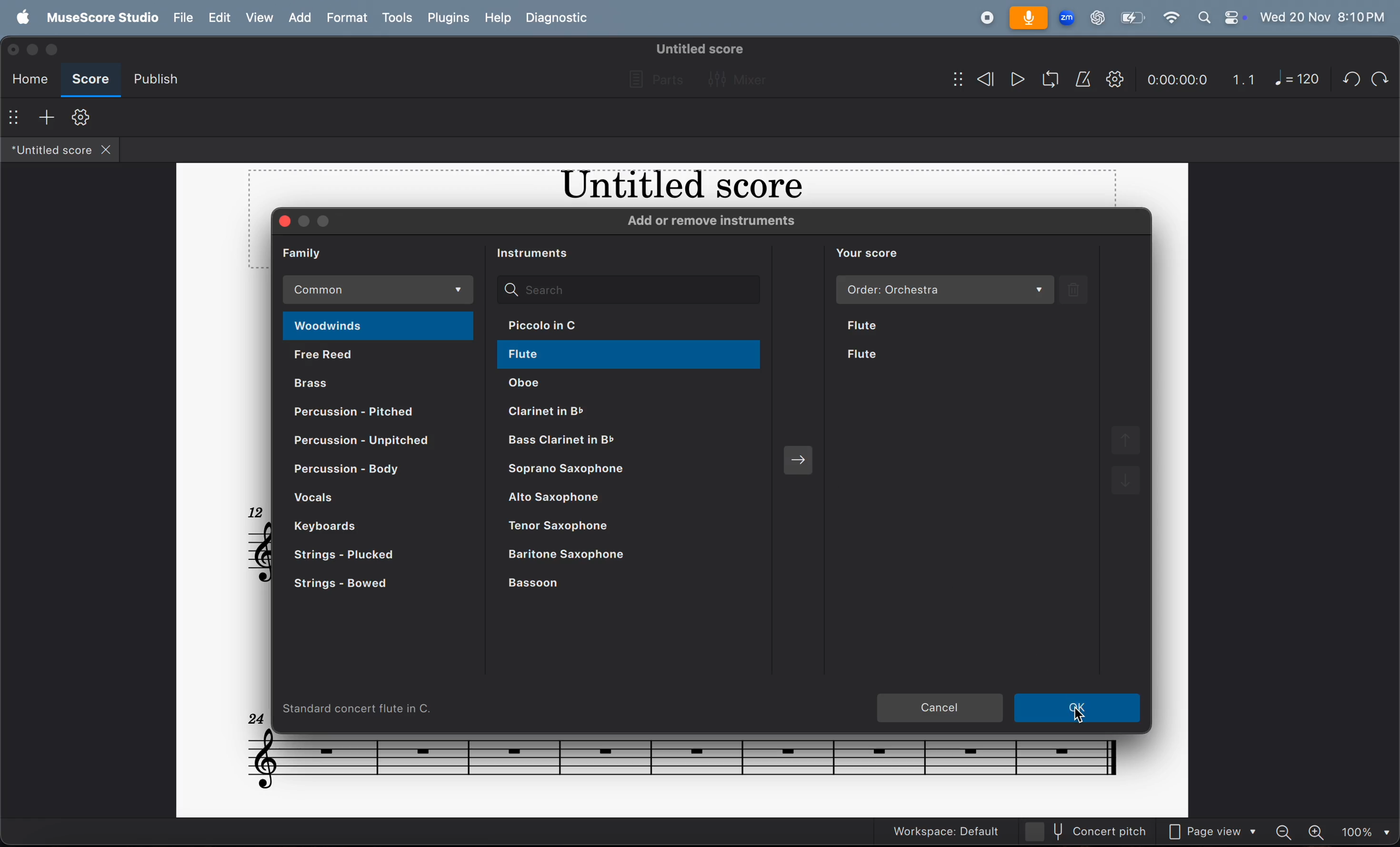 This screenshot has height=847, width=1400. I want to click on current pitch, so click(1087, 829).